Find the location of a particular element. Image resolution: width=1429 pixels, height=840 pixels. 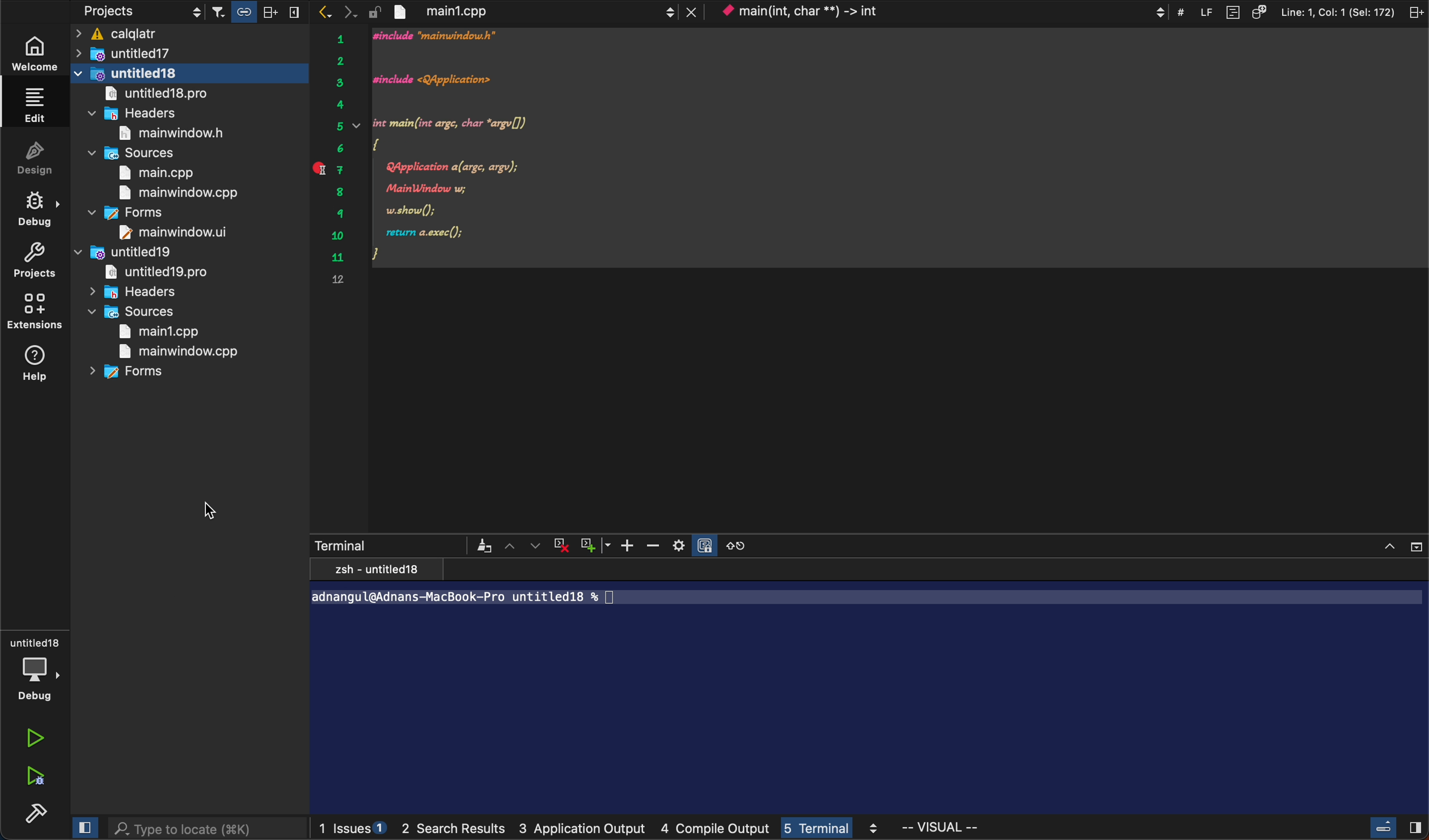

document is located at coordinates (1231, 11).